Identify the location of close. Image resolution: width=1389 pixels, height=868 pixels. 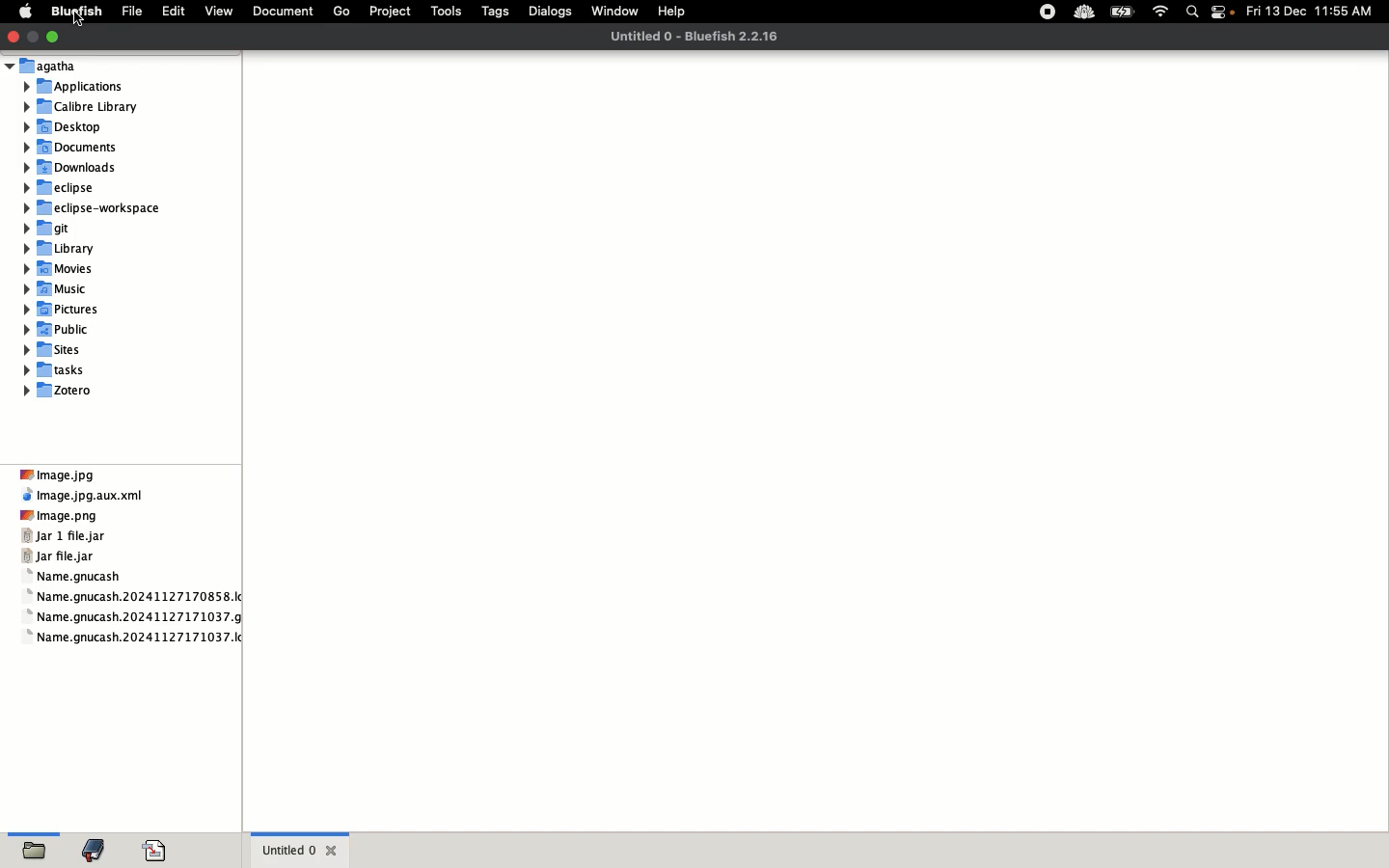
(12, 37).